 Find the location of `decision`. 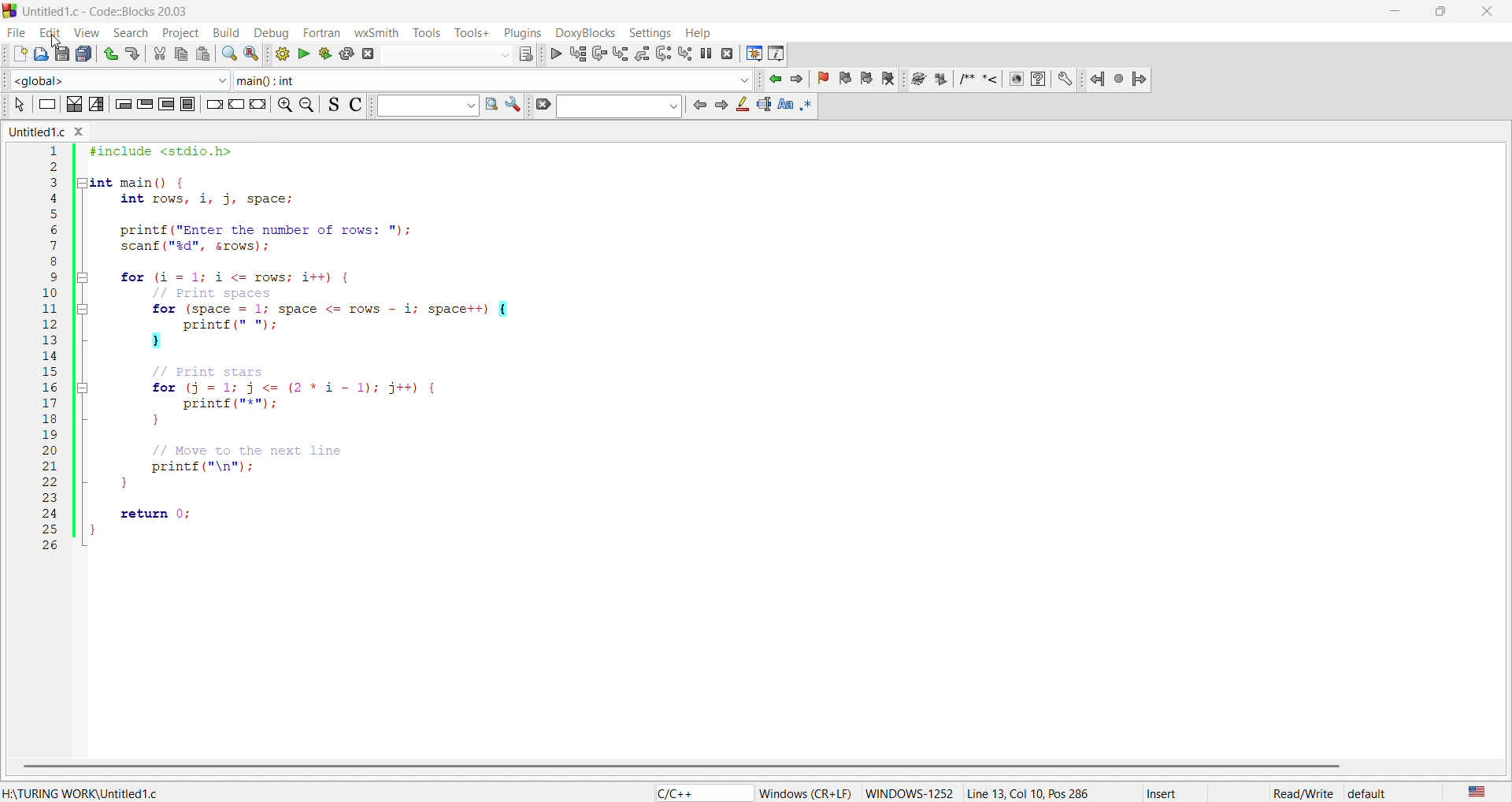

decision is located at coordinates (73, 104).